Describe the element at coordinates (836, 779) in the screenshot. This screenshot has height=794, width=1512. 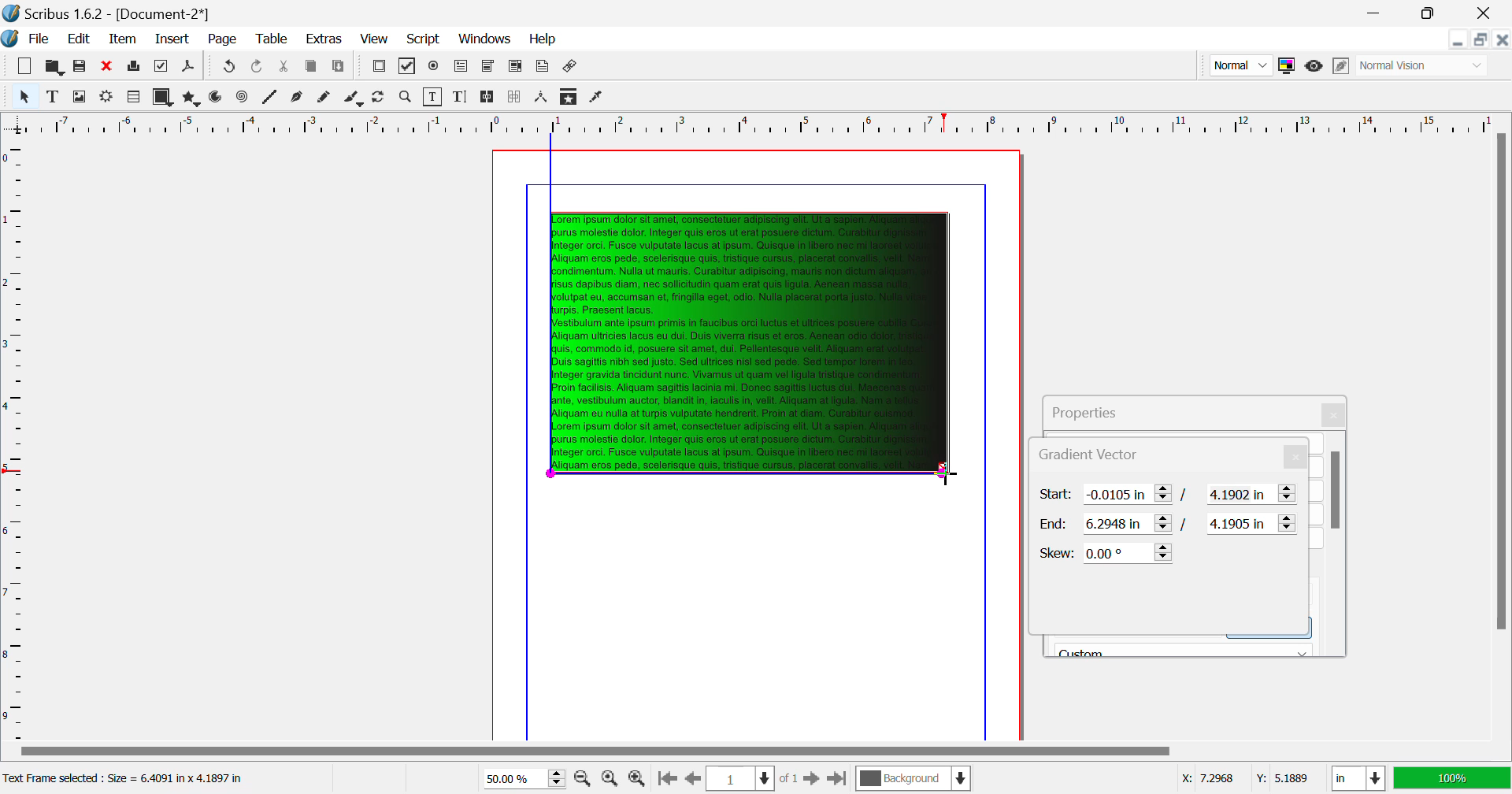
I see `Last Page` at that location.